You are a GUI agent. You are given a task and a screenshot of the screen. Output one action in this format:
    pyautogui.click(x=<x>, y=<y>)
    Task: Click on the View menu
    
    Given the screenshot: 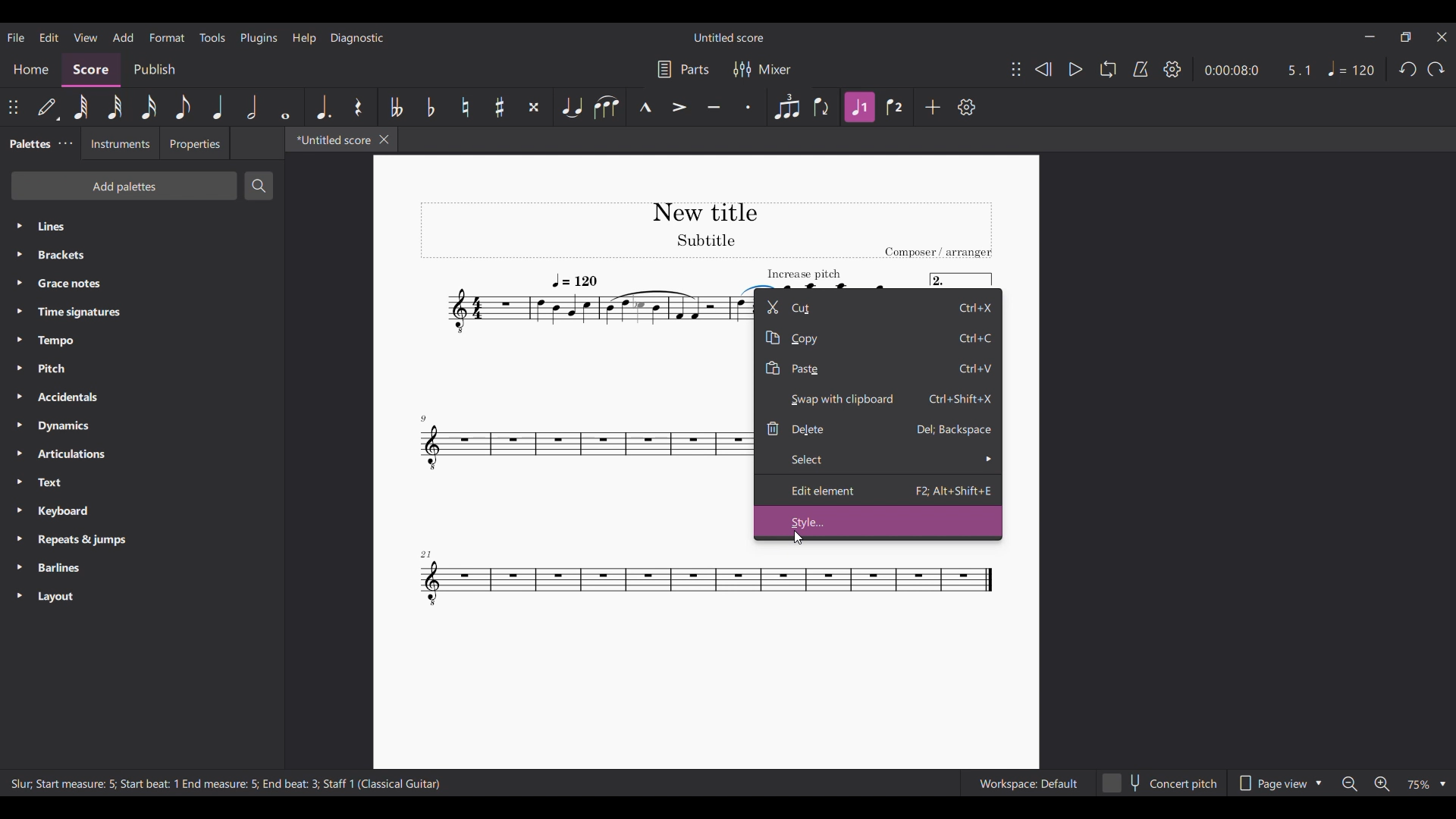 What is the action you would take?
    pyautogui.click(x=86, y=37)
    